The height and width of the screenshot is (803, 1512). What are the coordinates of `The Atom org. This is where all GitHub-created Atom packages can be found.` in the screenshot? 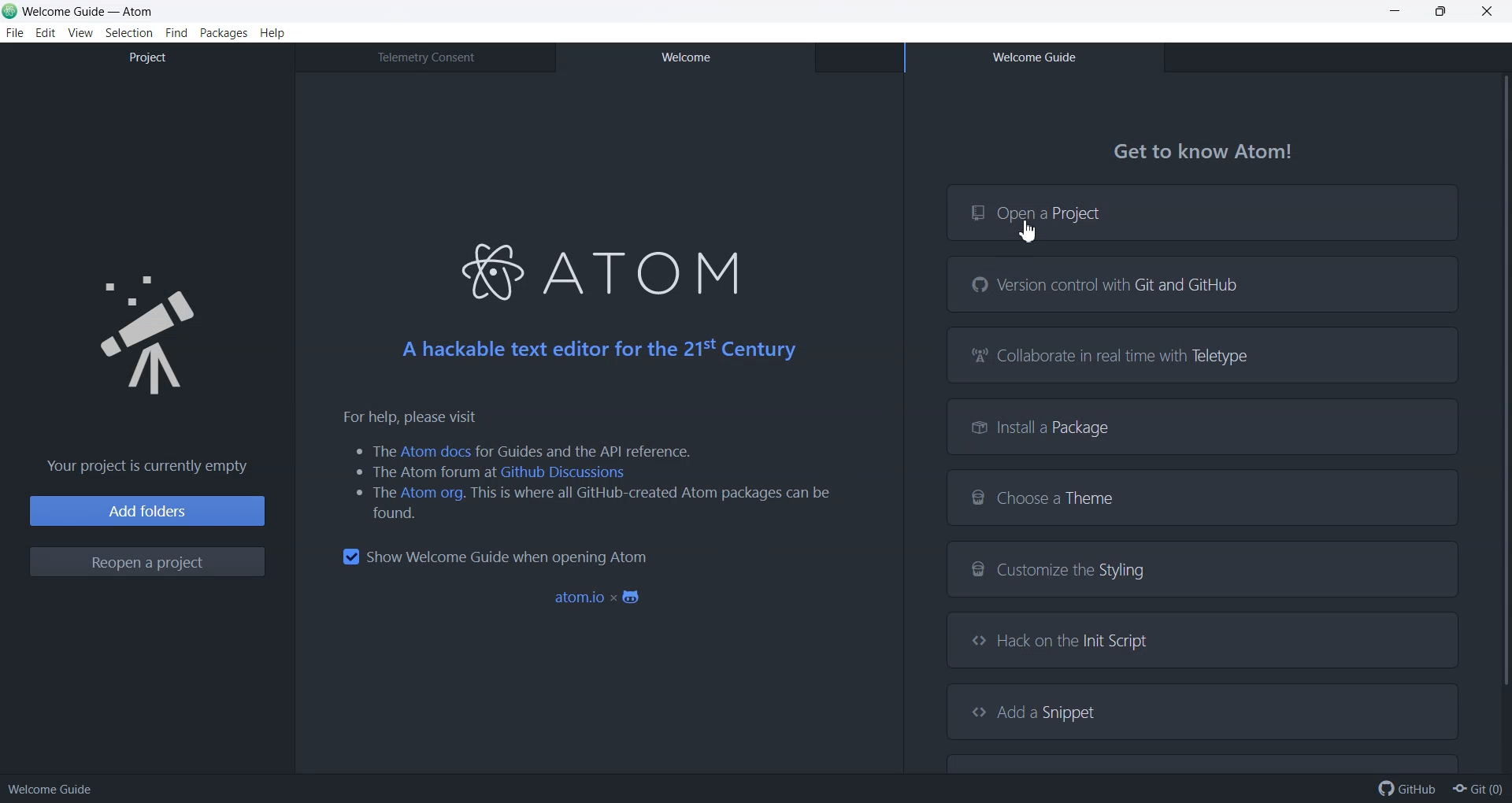 It's located at (586, 503).